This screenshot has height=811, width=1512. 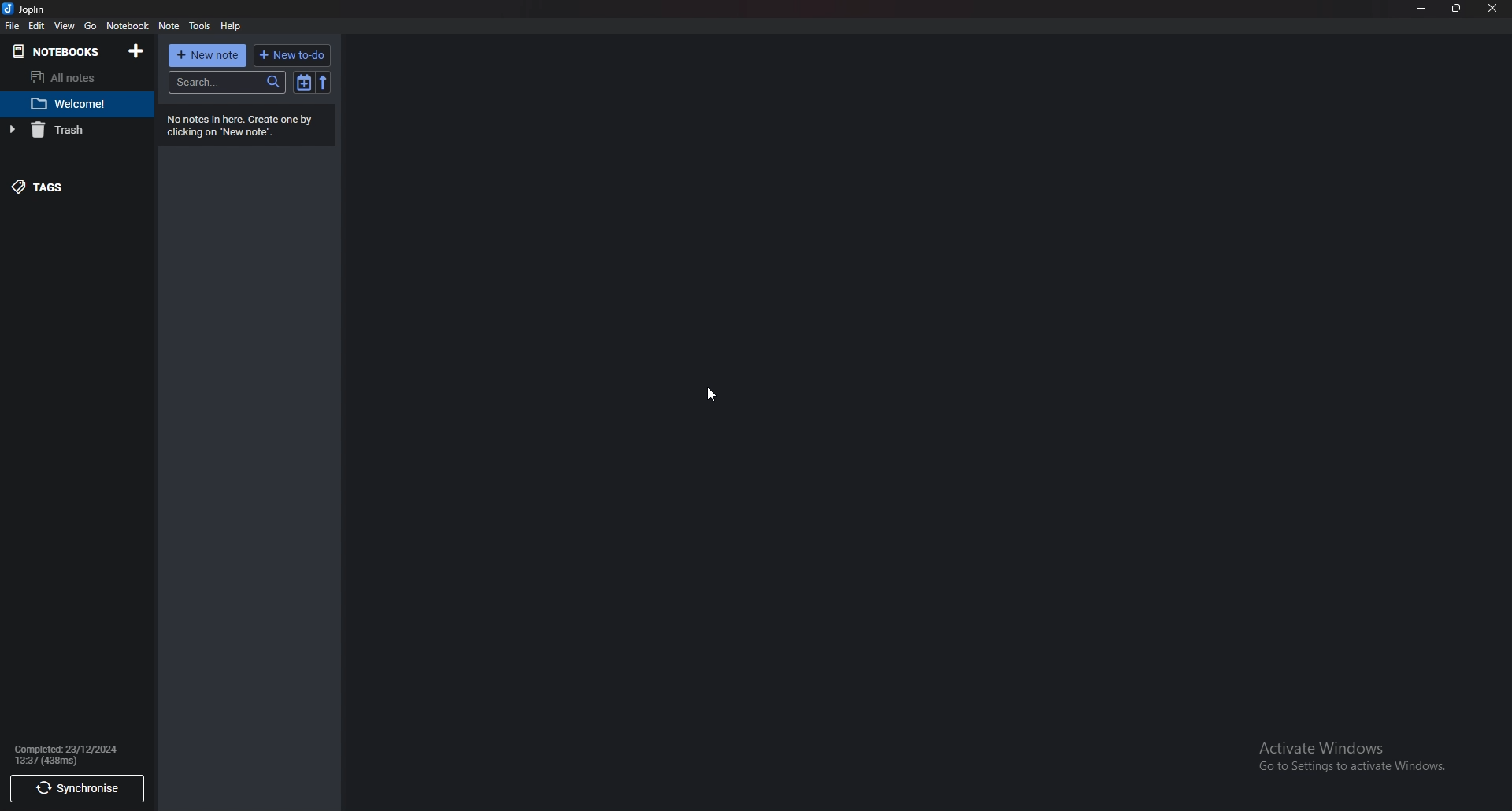 I want to click on Toggle sort order, so click(x=304, y=83).